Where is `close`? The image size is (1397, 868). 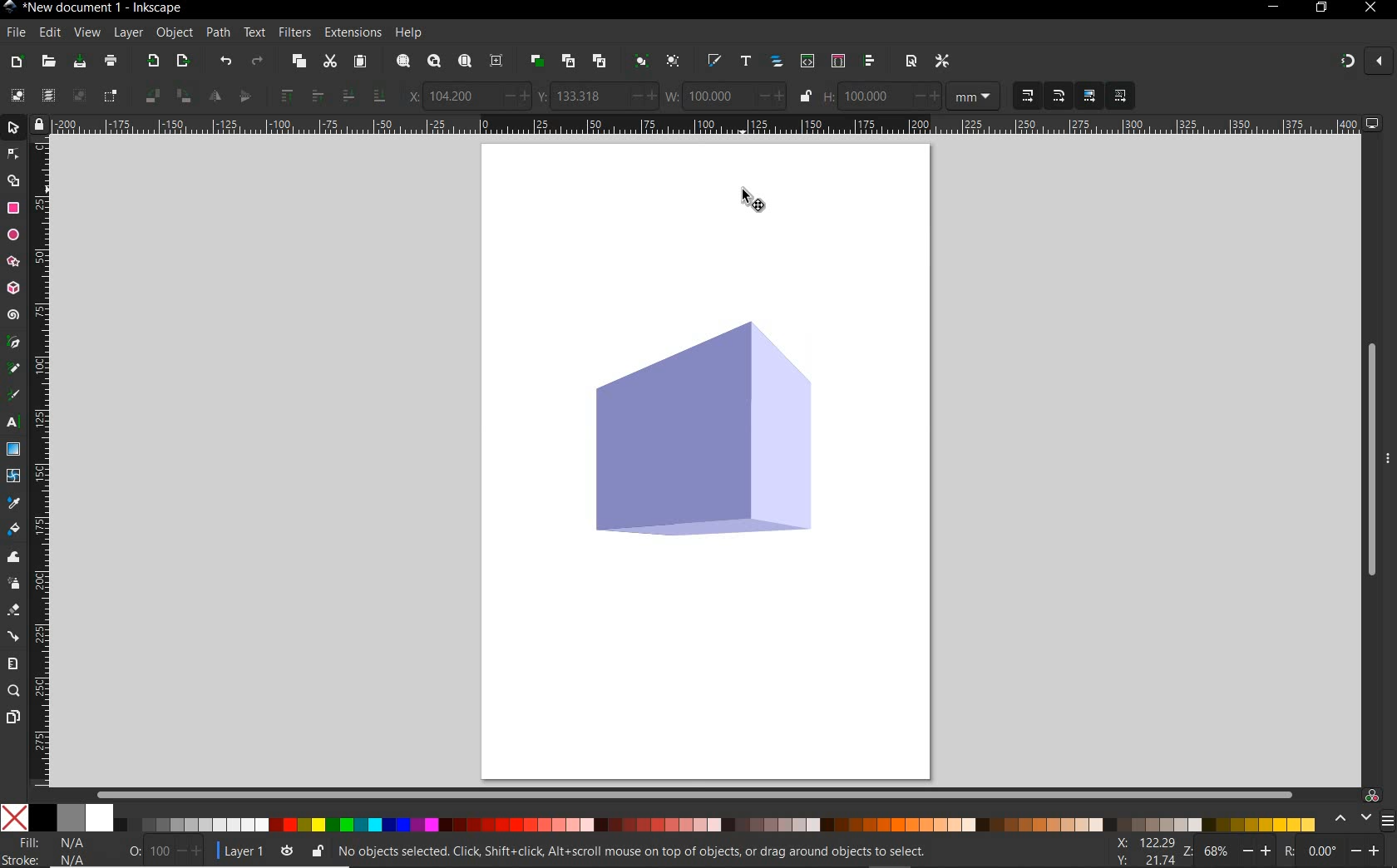 close is located at coordinates (1378, 60).